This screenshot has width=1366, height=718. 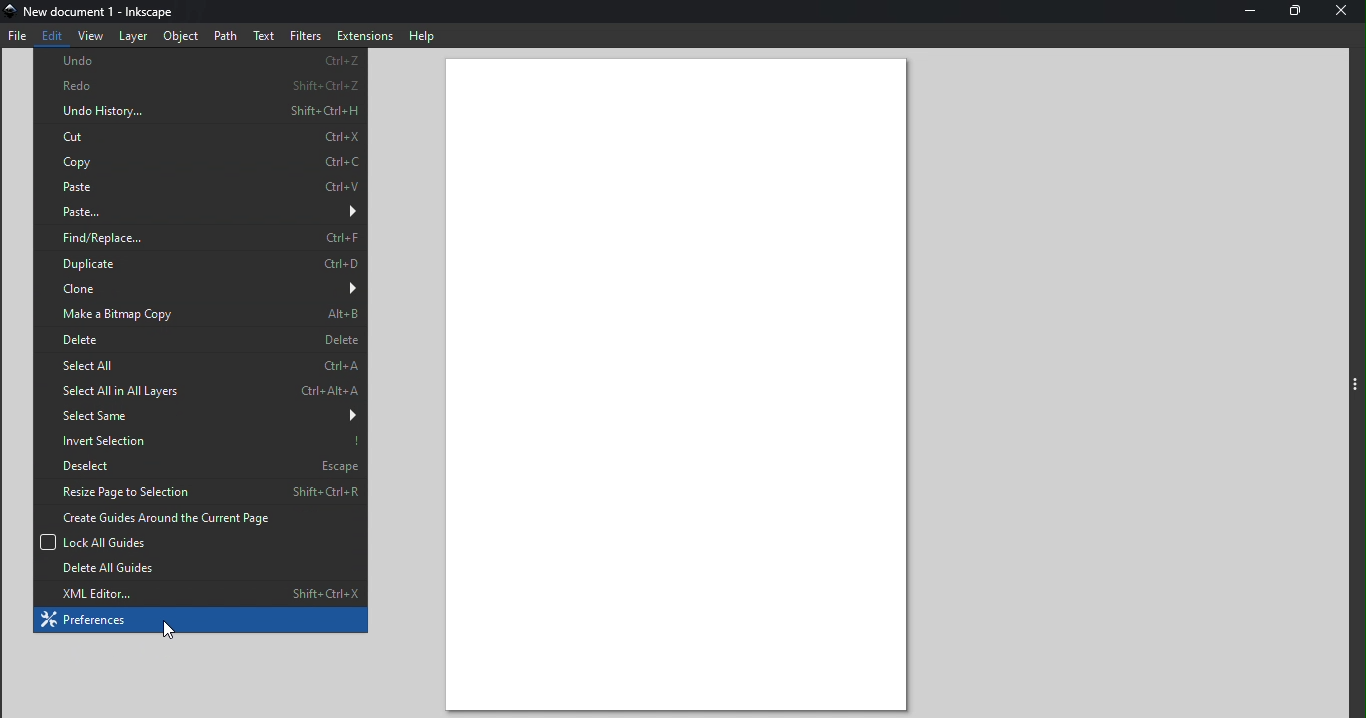 I want to click on View, so click(x=91, y=37).